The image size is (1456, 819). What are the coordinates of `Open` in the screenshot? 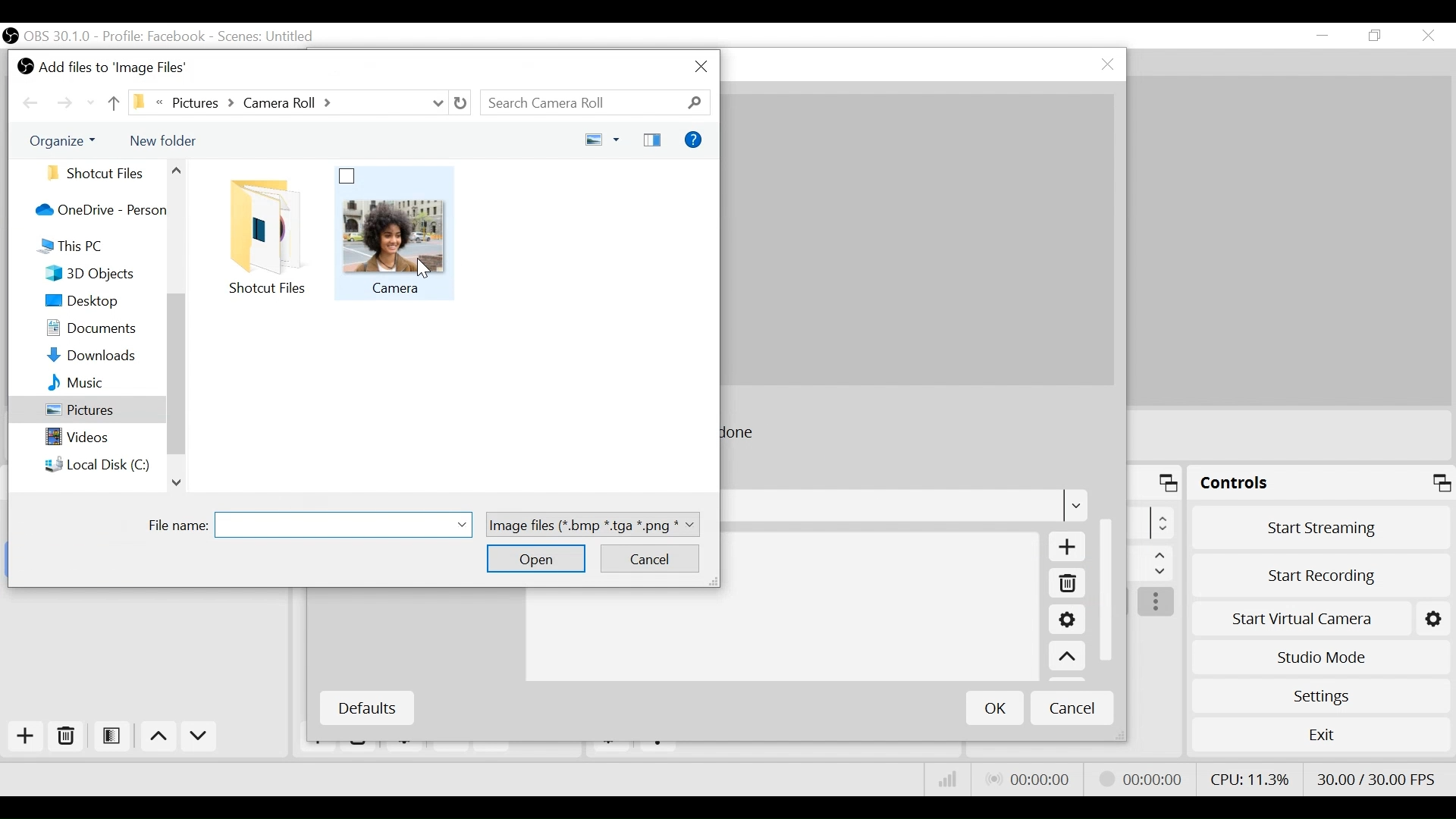 It's located at (538, 560).